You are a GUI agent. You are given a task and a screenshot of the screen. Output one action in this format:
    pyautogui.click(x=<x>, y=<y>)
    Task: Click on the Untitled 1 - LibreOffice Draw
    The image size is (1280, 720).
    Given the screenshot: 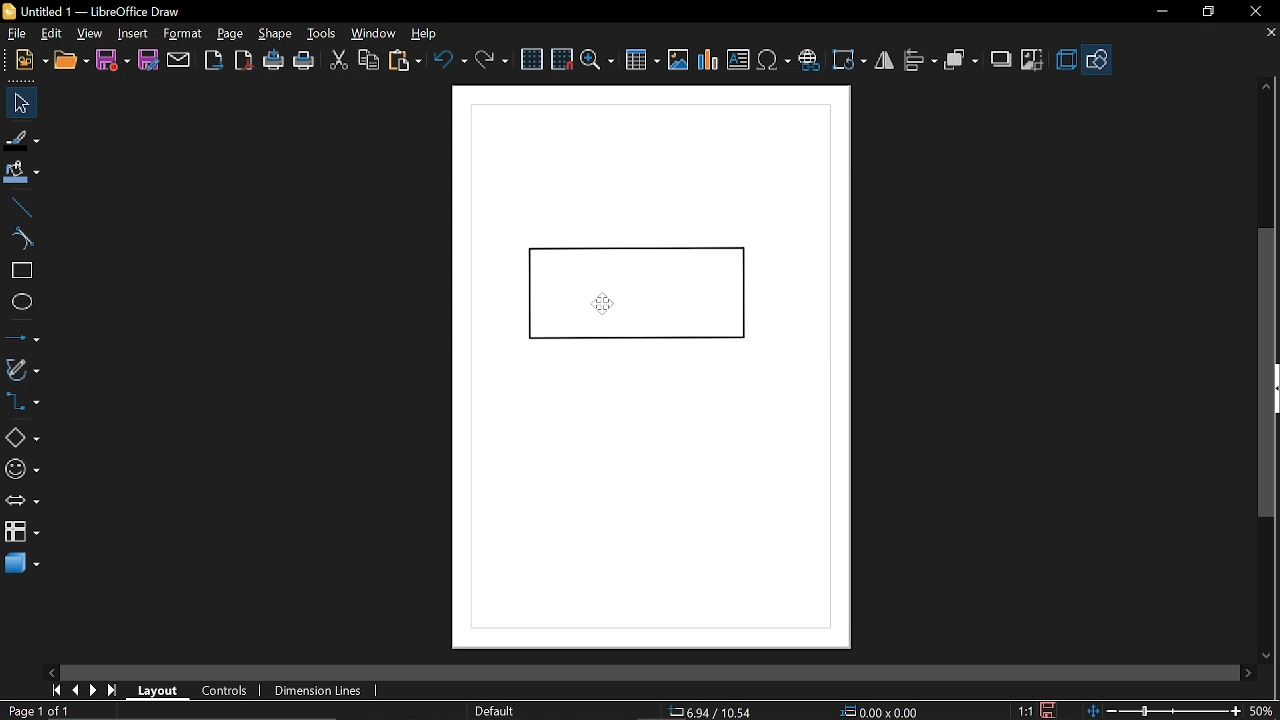 What is the action you would take?
    pyautogui.click(x=97, y=11)
    